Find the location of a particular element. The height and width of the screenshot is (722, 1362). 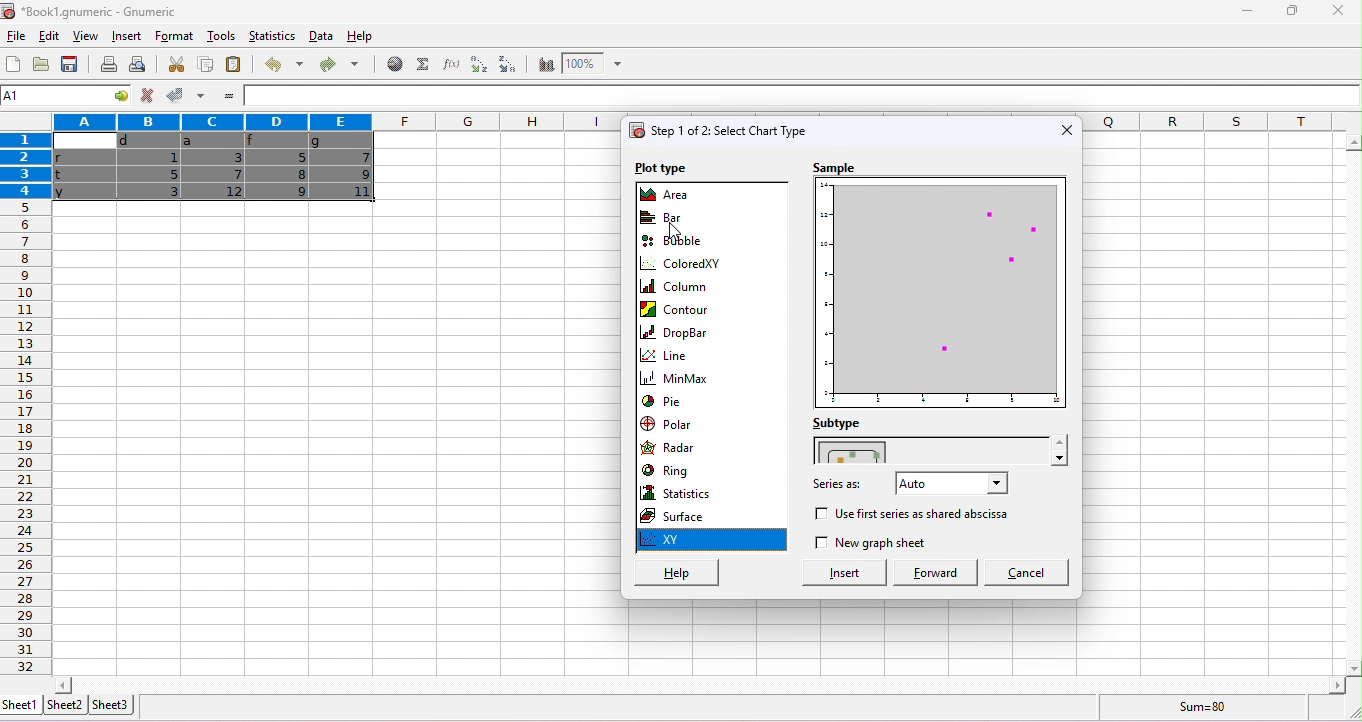

hyperlink is located at coordinates (392, 63).